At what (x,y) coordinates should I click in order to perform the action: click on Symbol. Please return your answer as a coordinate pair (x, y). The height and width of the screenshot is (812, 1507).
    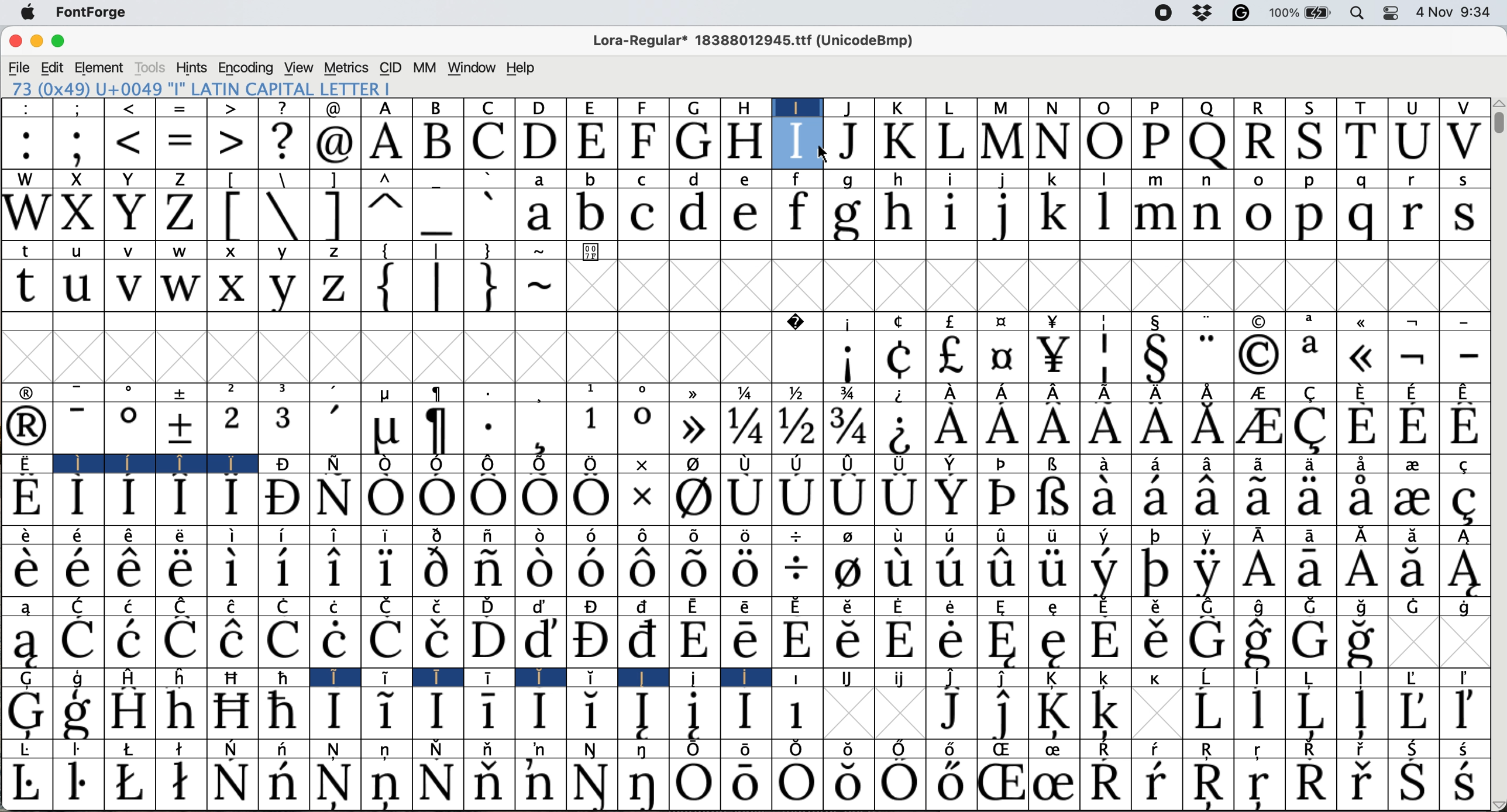
    Looking at the image, I should click on (128, 641).